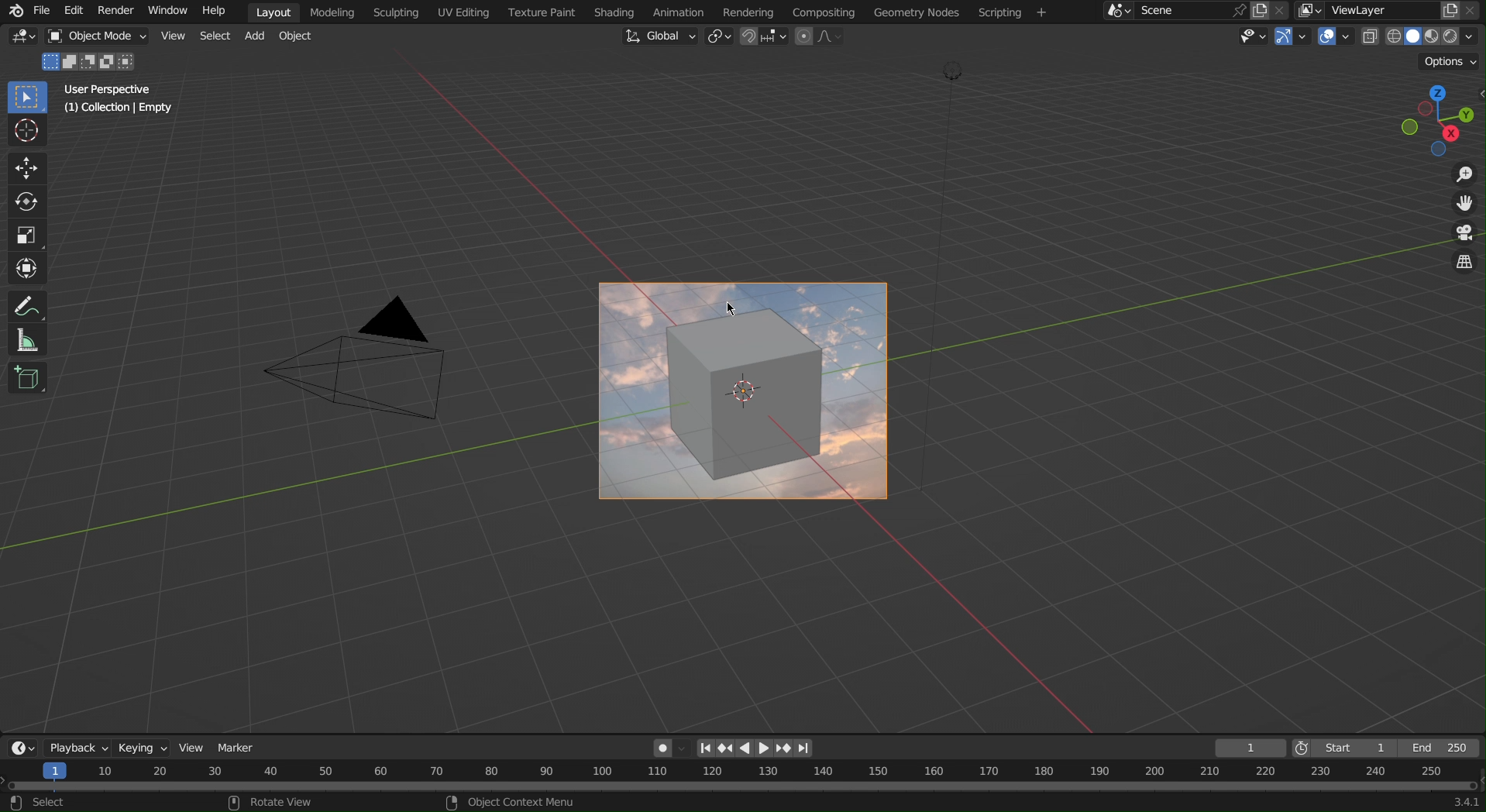 The width and height of the screenshot is (1486, 812). Describe the element at coordinates (747, 392) in the screenshot. I see `Background` at that location.